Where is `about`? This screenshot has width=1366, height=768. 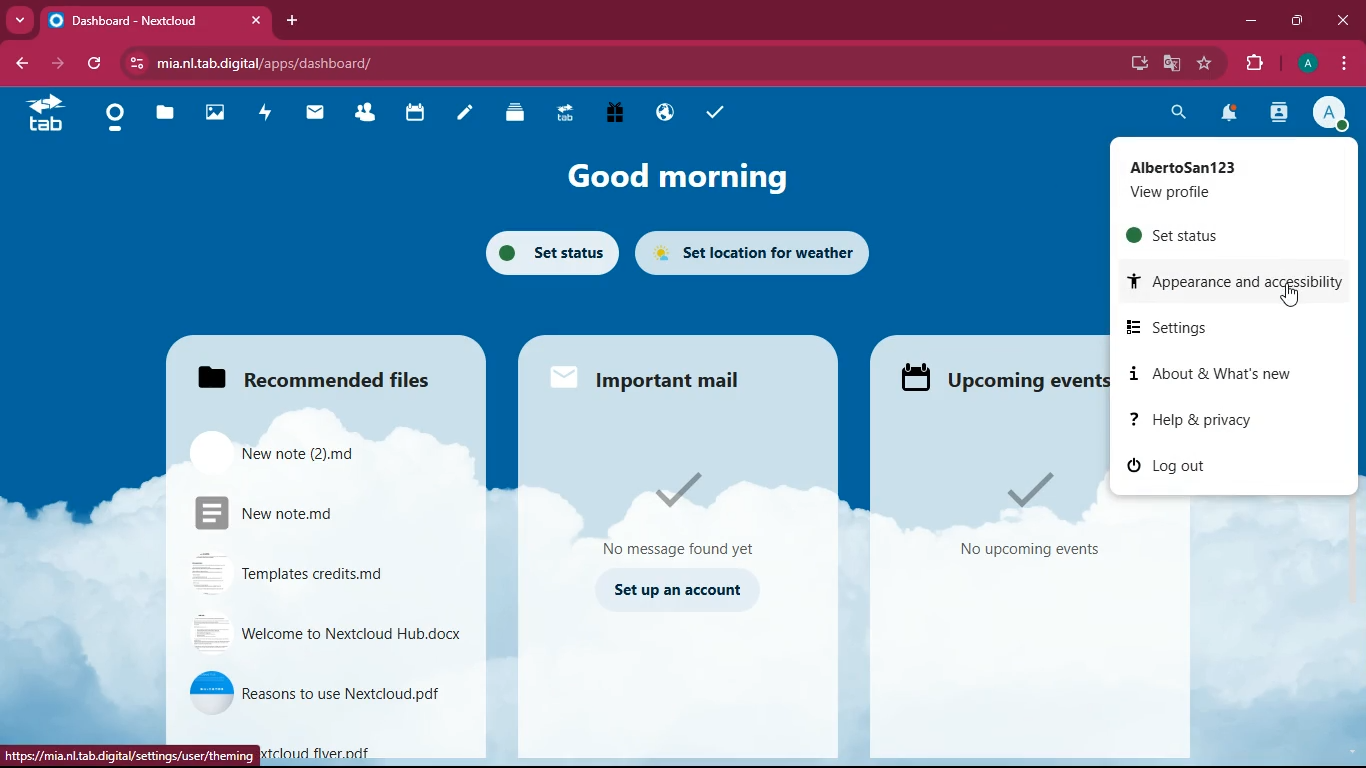 about is located at coordinates (1229, 376).